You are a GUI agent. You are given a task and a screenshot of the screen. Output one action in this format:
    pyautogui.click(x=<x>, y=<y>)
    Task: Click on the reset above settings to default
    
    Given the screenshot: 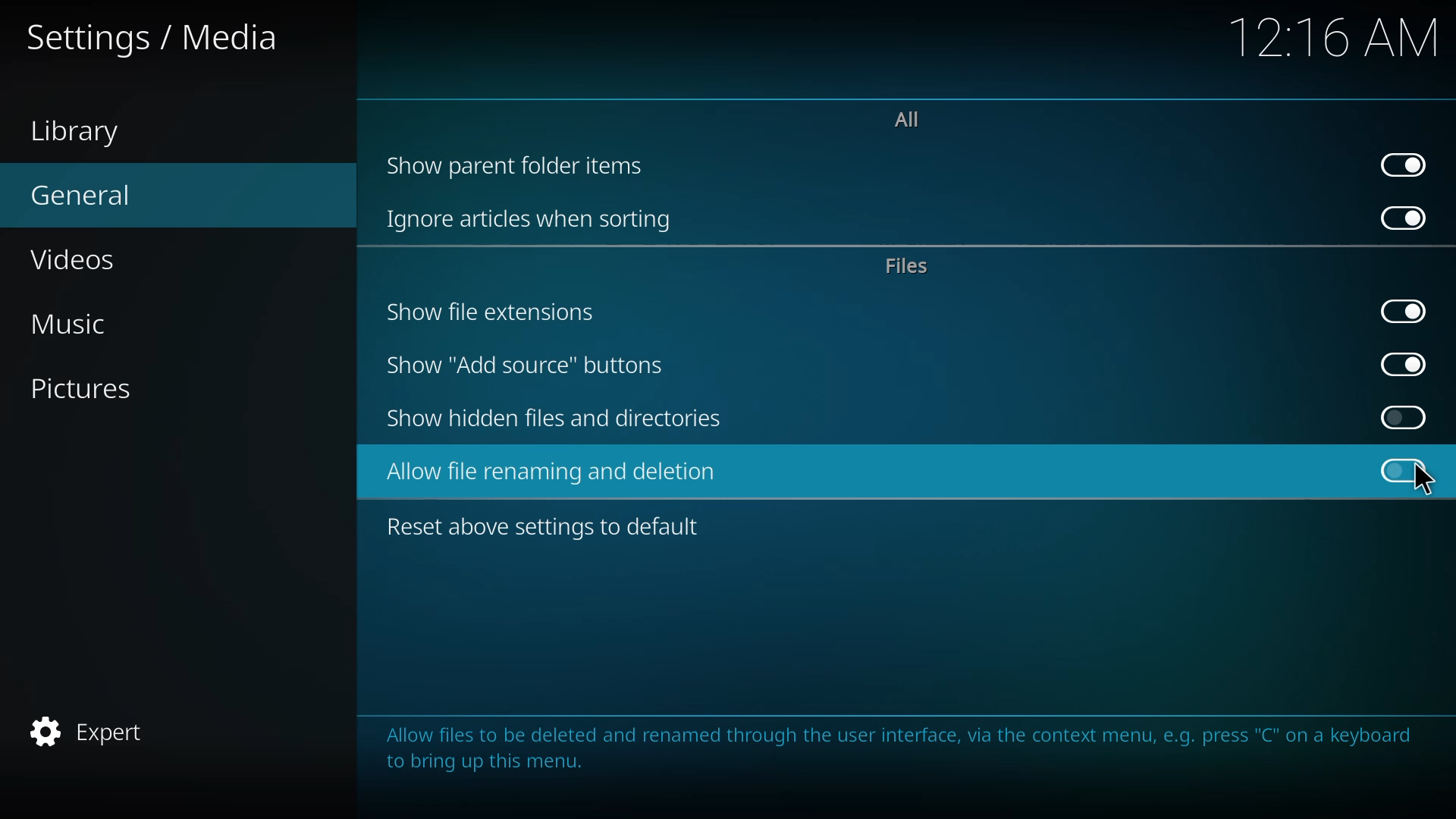 What is the action you would take?
    pyautogui.click(x=548, y=526)
    